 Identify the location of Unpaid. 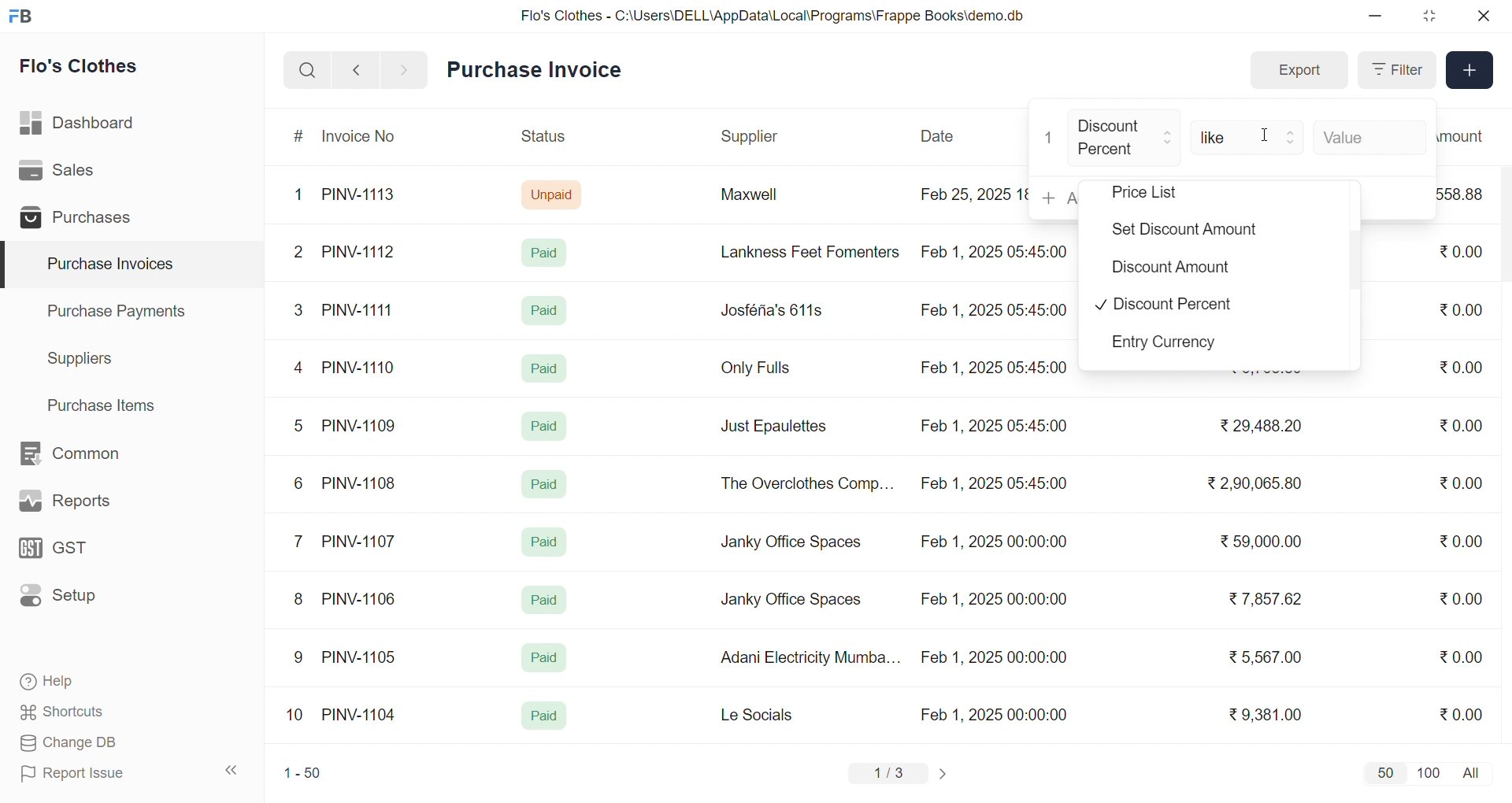
(554, 194).